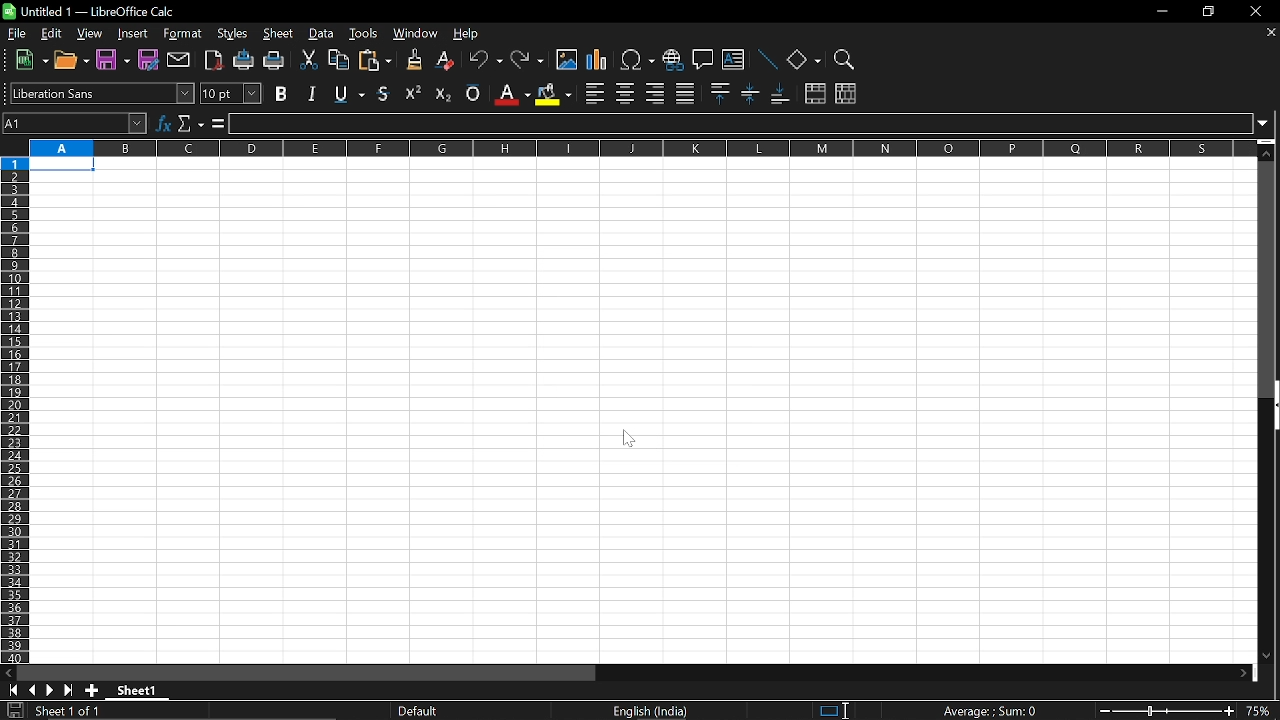 The image size is (1280, 720). Describe the element at coordinates (672, 62) in the screenshot. I see `insert hyperlink` at that location.